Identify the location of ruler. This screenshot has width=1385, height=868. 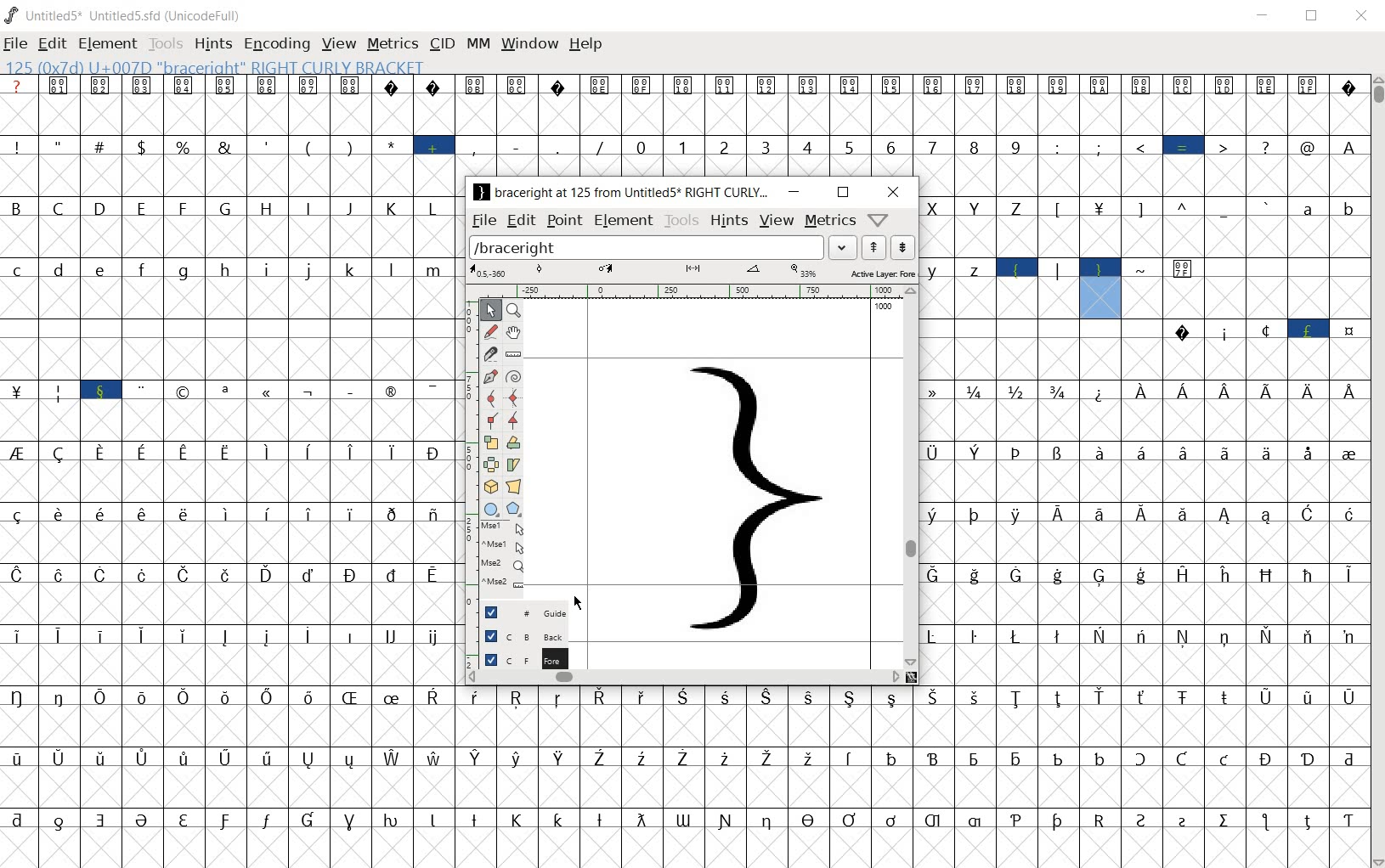
(689, 290).